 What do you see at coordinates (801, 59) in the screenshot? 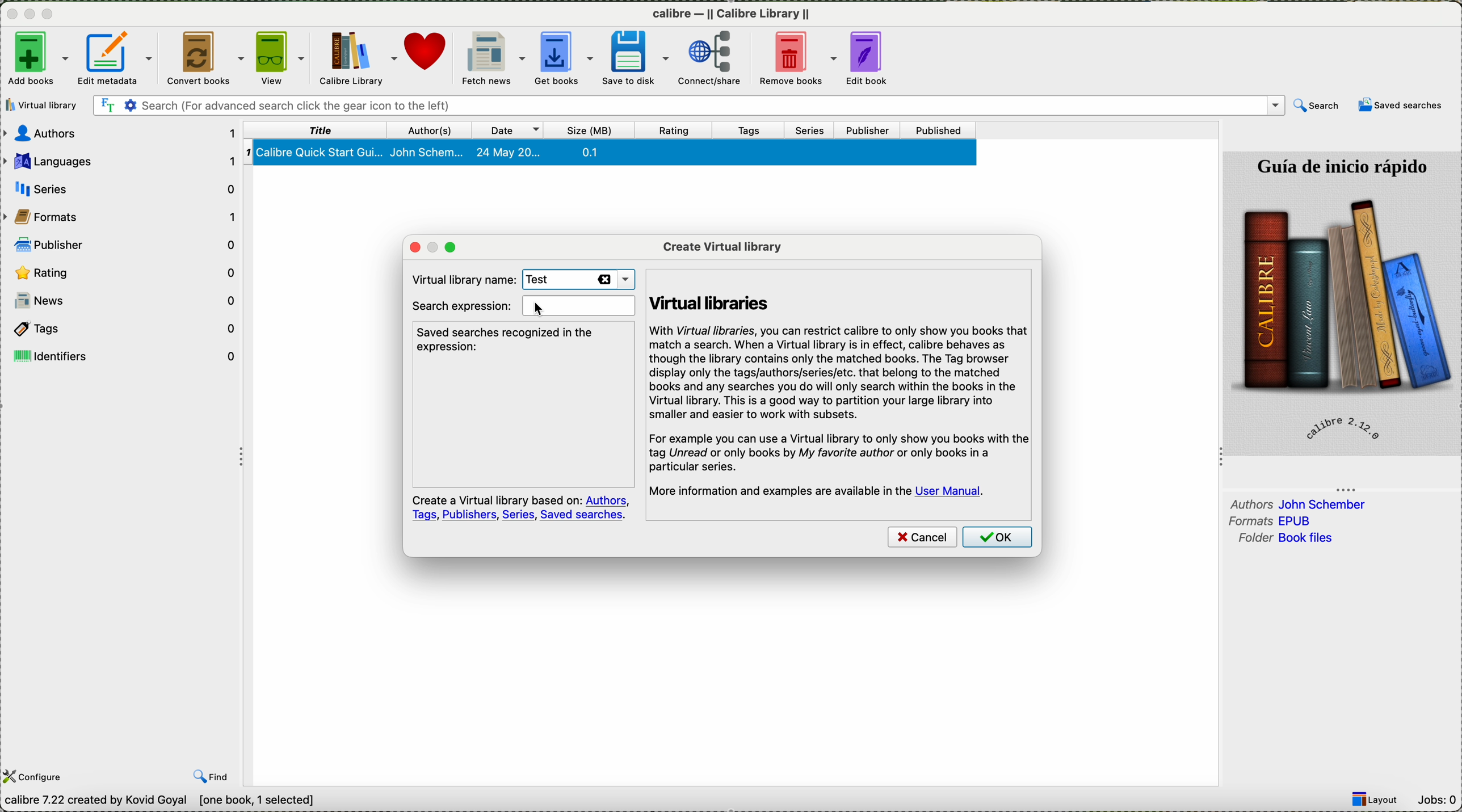
I see `remove books` at bounding box center [801, 59].